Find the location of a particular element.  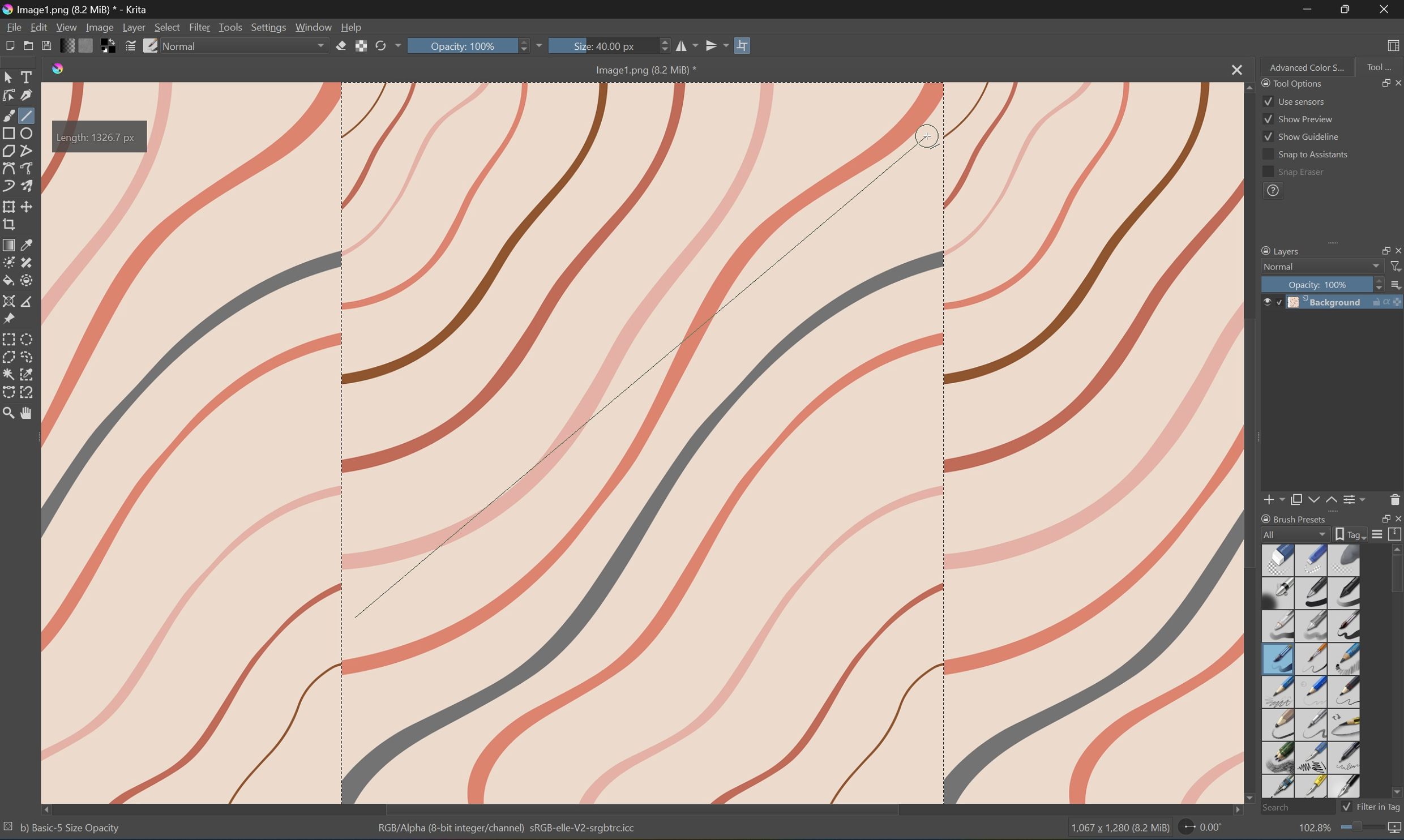

Visibility is located at coordinates (1265, 298).